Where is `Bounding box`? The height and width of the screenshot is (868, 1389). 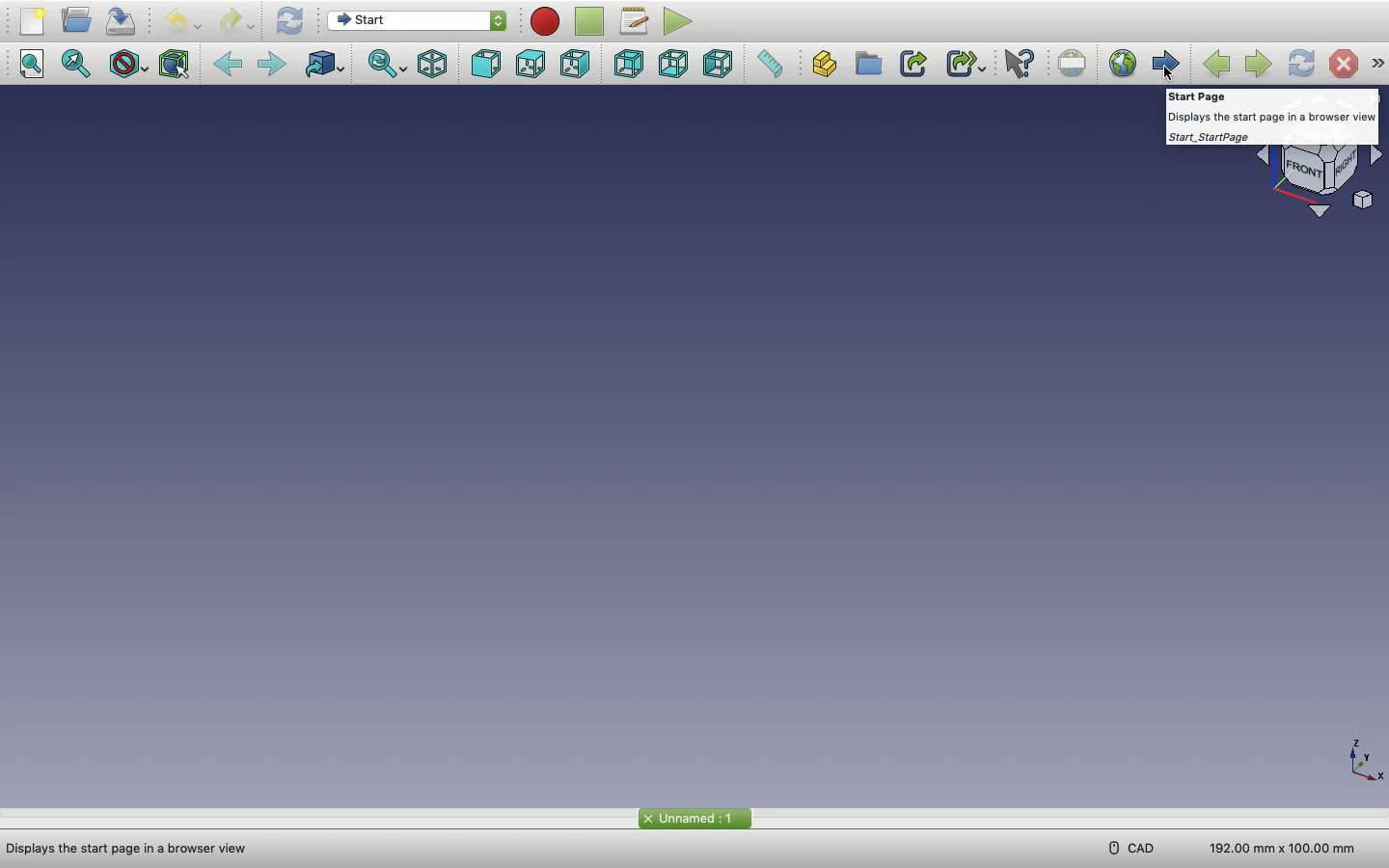 Bounding box is located at coordinates (173, 66).